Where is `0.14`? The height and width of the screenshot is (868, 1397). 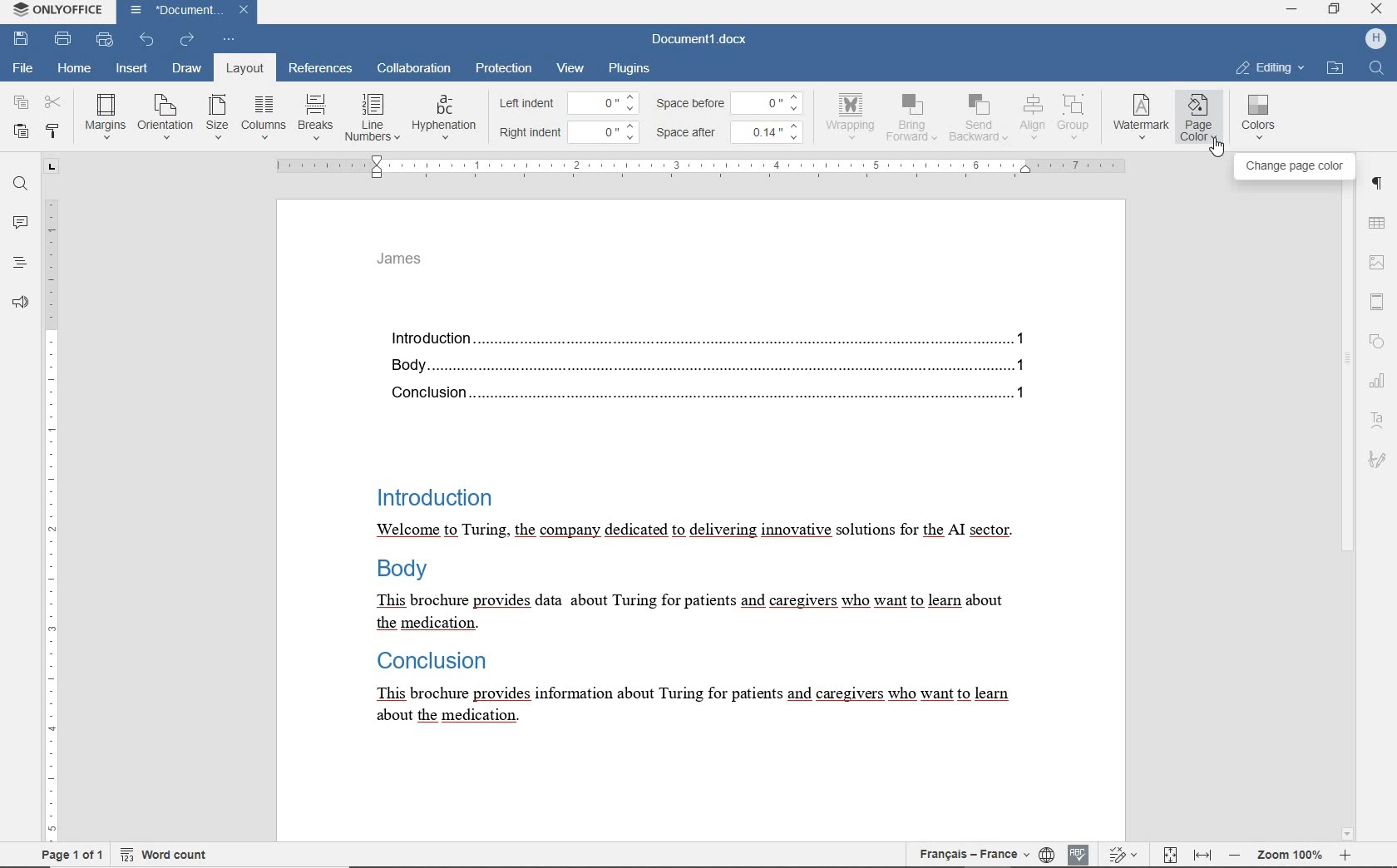
0.14 is located at coordinates (773, 131).